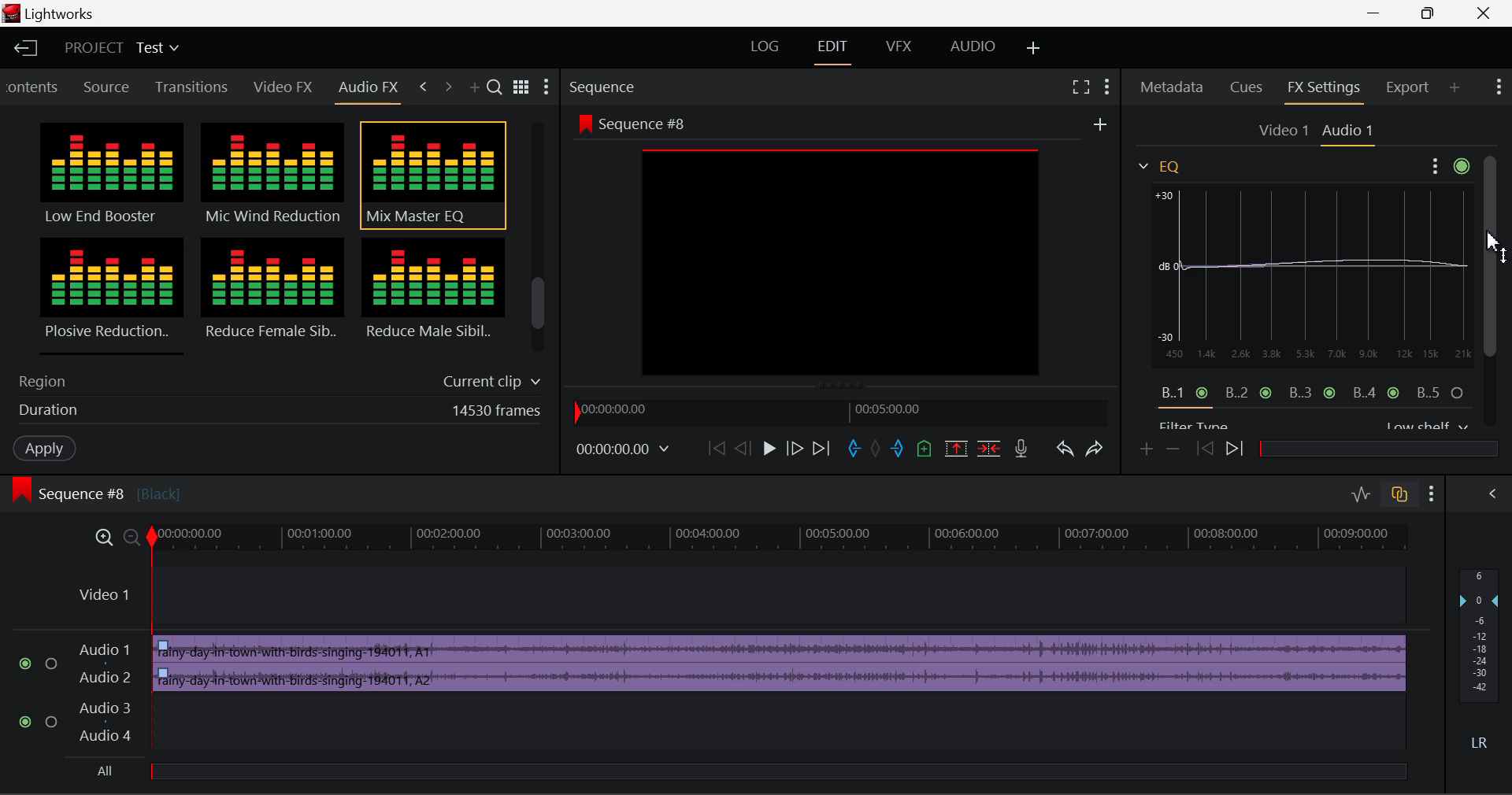  I want to click on AUDIO Layout, so click(972, 48).